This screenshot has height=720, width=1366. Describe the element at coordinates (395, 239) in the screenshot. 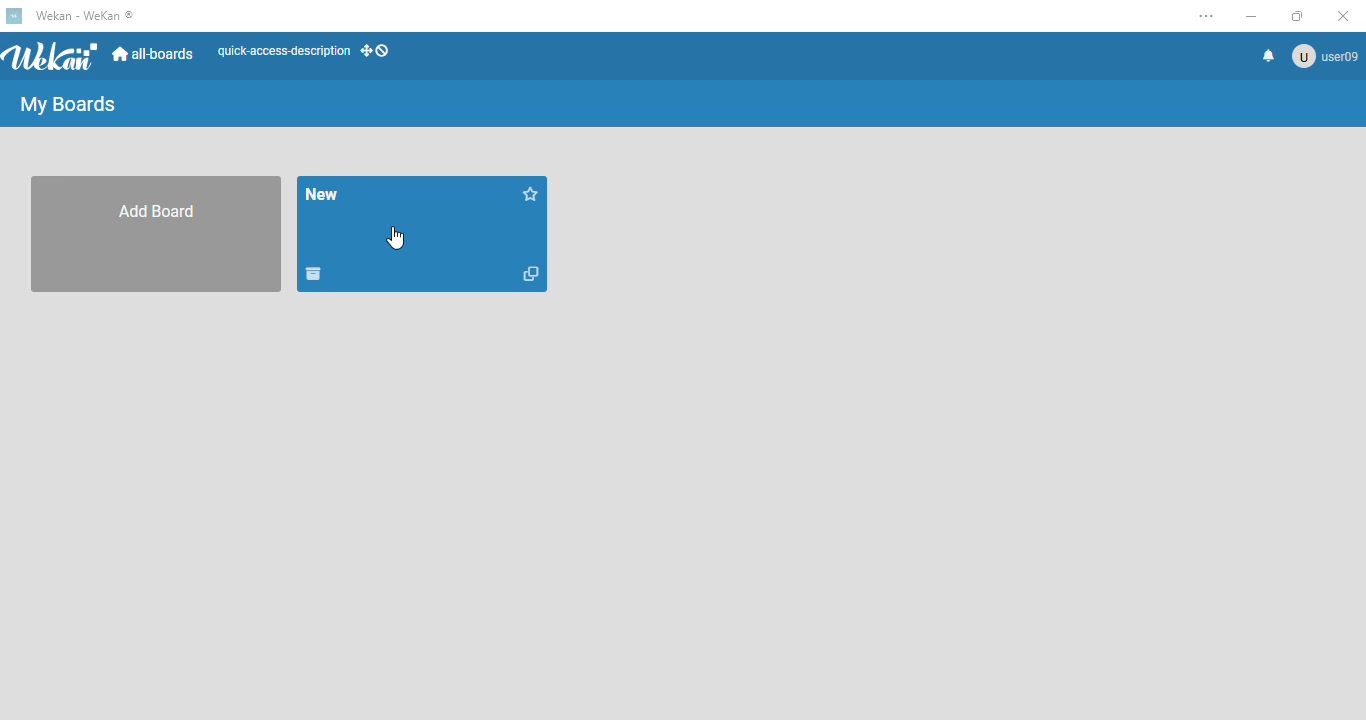

I see `cursor` at that location.